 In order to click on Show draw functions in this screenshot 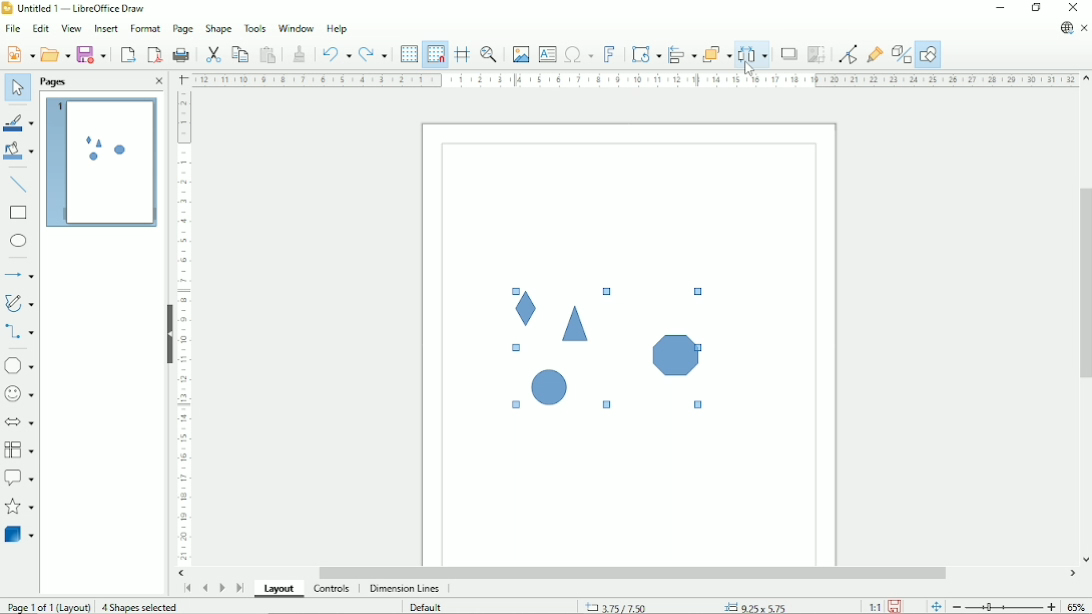, I will do `click(929, 53)`.